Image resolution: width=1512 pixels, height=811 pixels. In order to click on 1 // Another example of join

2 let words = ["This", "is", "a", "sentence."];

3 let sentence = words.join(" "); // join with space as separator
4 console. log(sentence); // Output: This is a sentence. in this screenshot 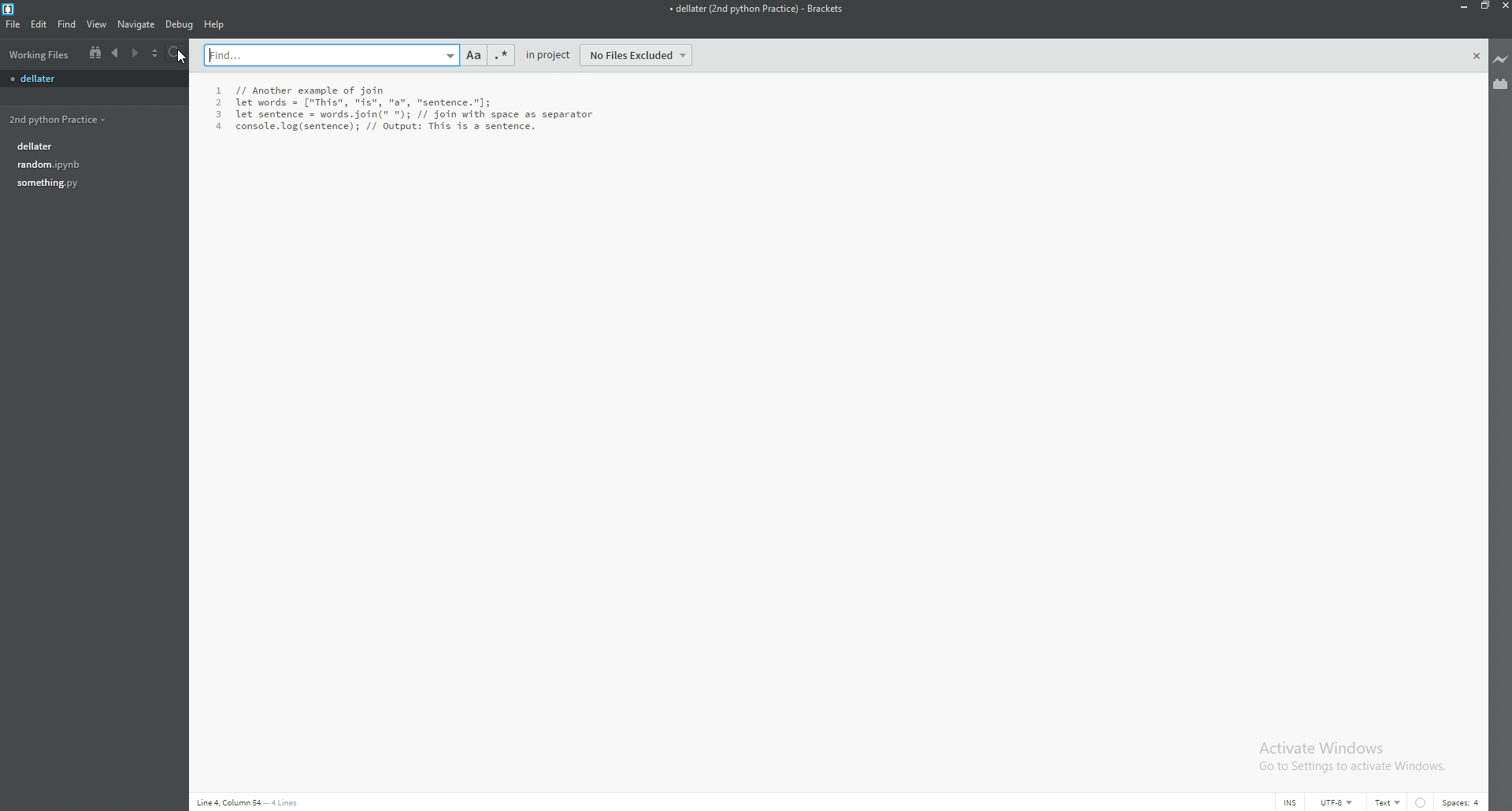, I will do `click(433, 116)`.